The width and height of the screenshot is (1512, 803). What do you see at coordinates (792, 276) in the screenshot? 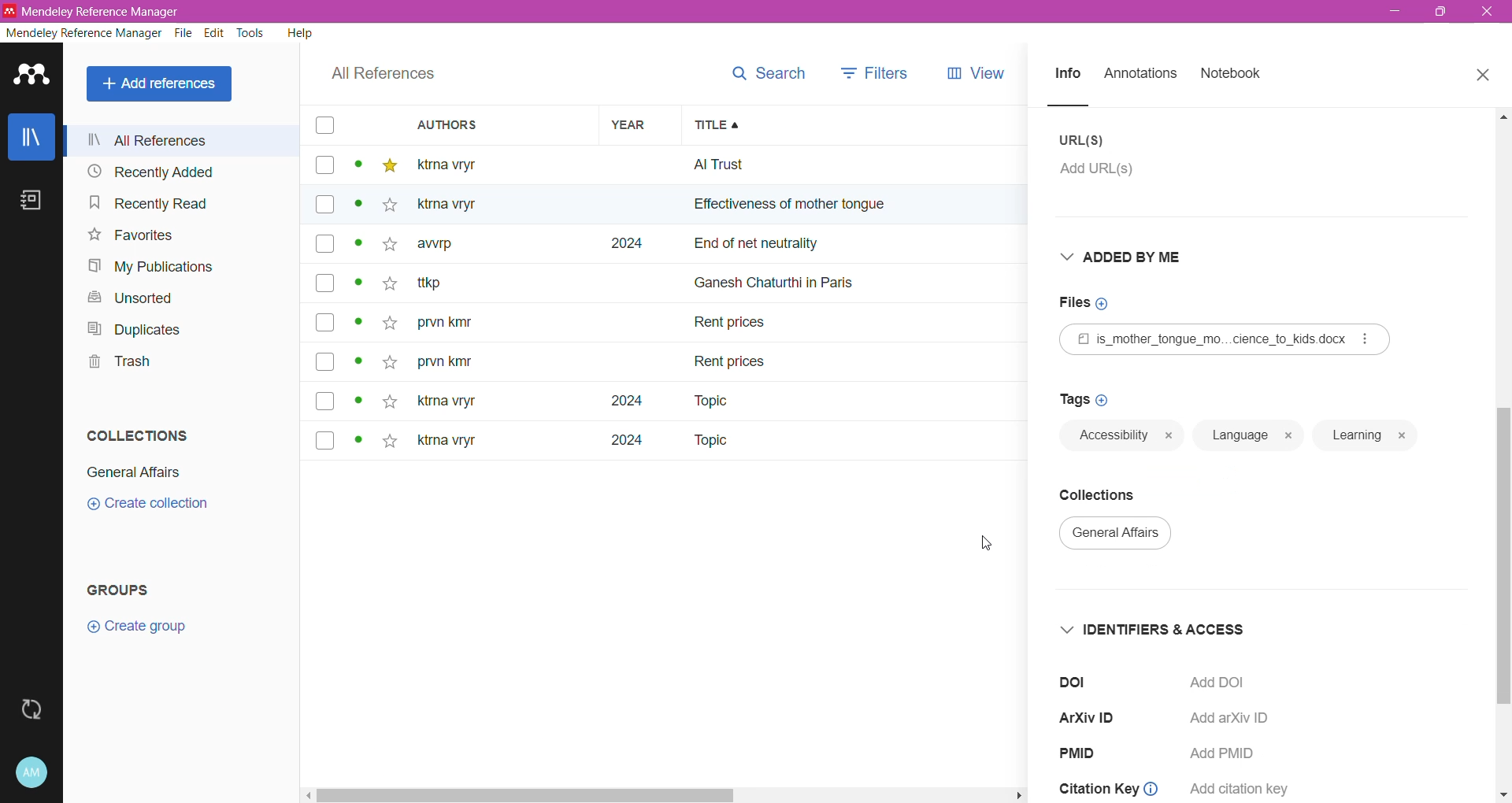
I see `ganesh chaturthi in paris ` at bounding box center [792, 276].